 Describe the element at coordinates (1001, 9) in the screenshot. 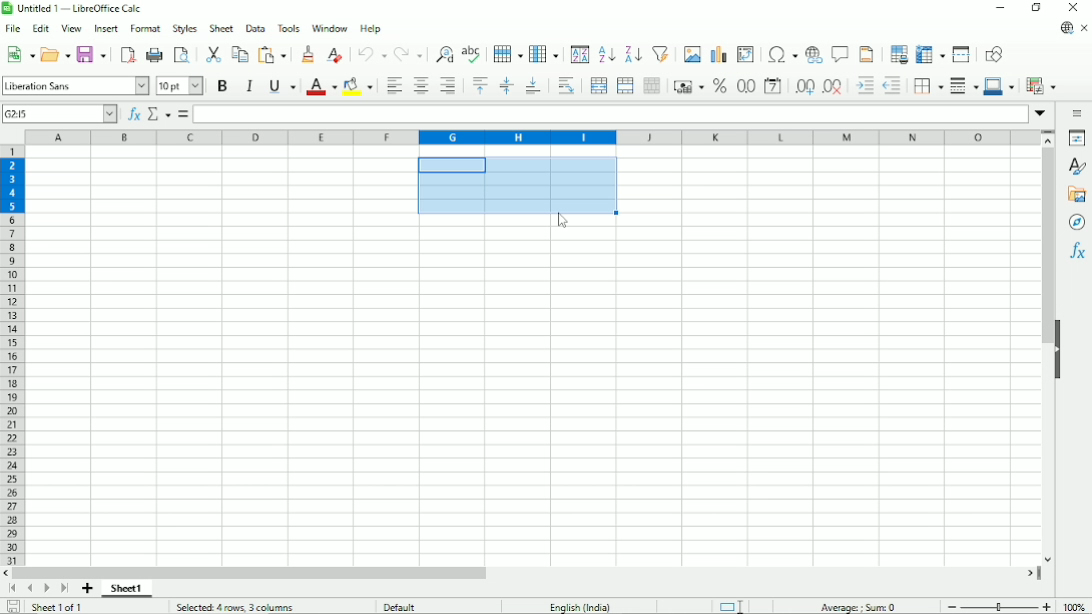

I see `Minimize` at that location.